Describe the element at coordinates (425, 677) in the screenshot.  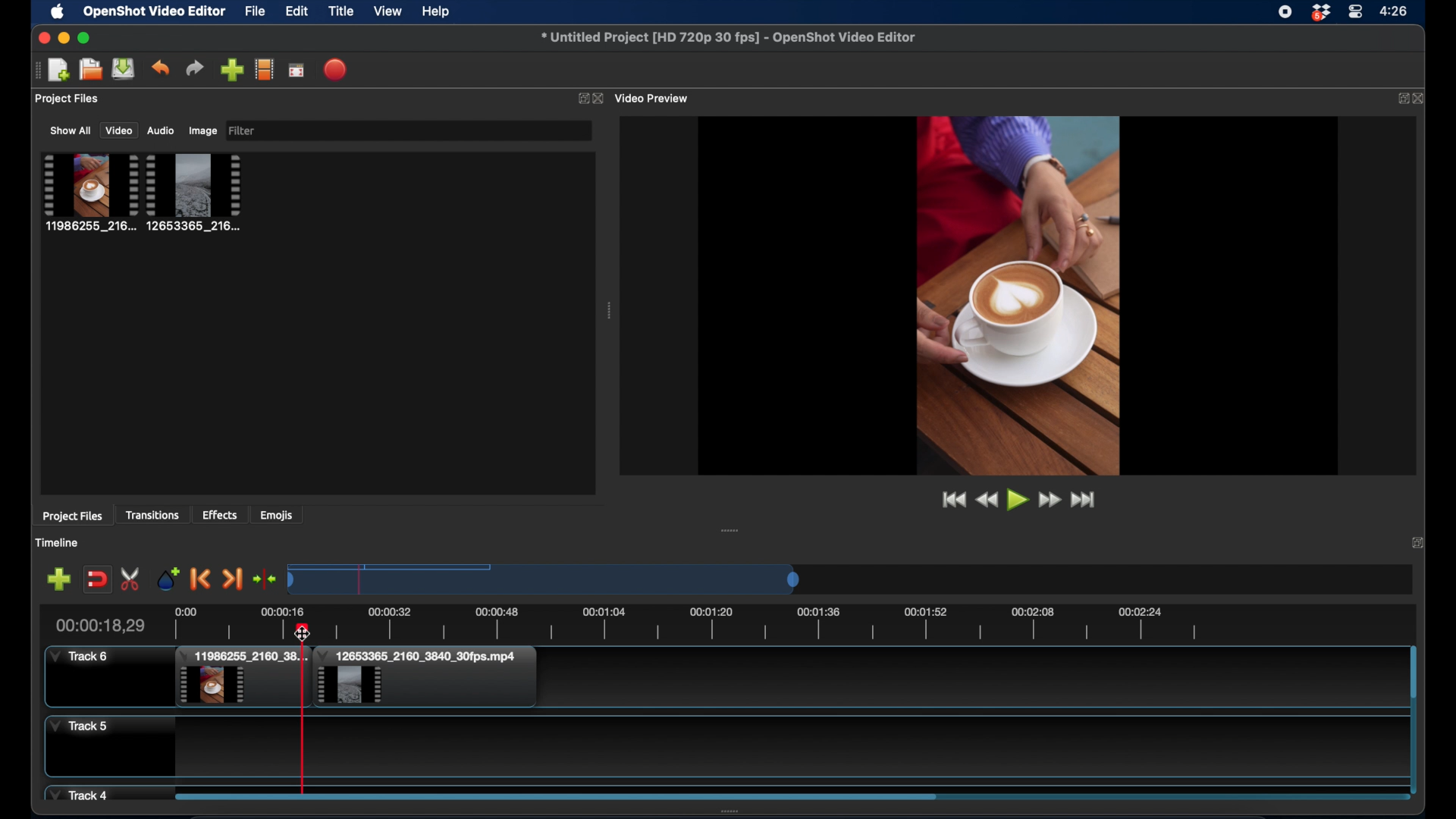
I see `clip` at that location.